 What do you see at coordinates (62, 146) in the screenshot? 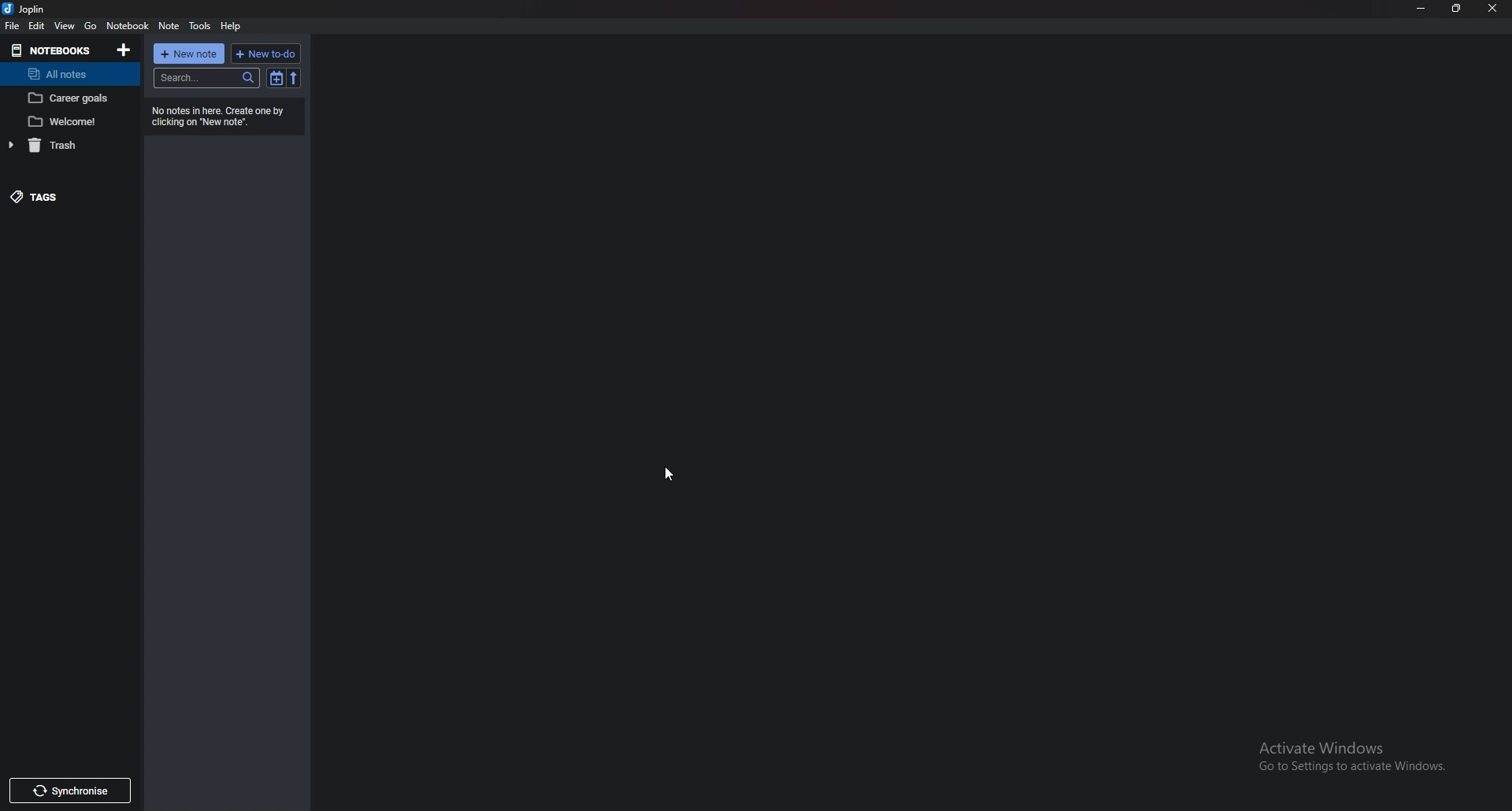
I see `trash` at bounding box center [62, 146].